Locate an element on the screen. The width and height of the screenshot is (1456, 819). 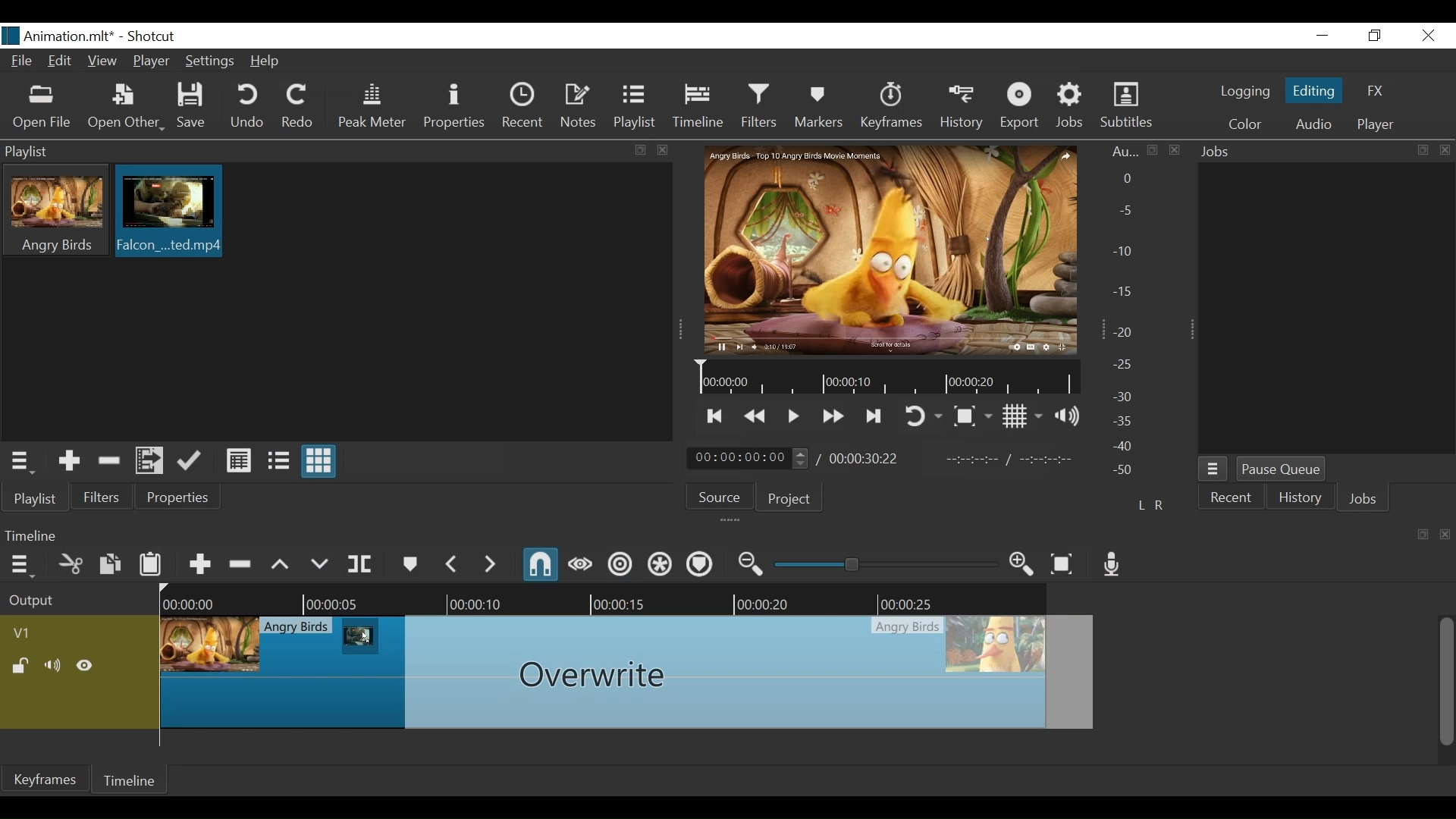
View as Icon is located at coordinates (320, 461).